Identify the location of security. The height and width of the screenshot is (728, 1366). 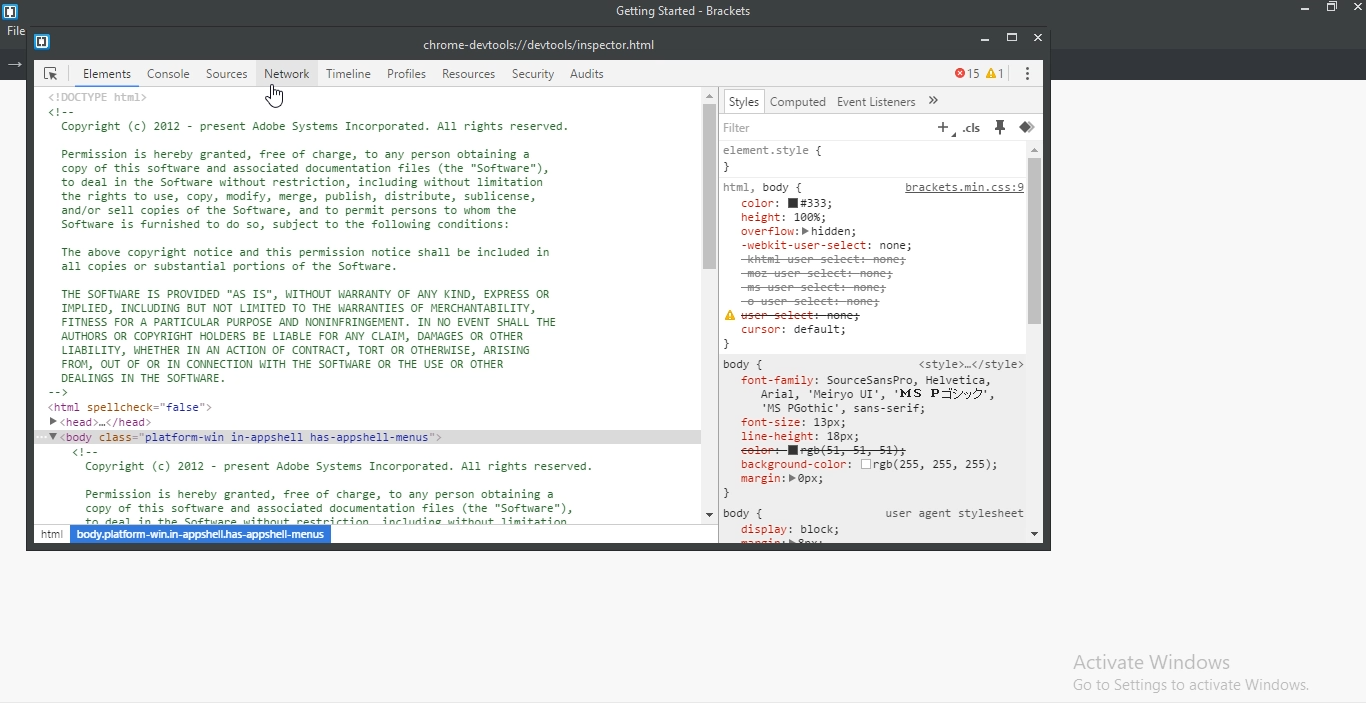
(531, 75).